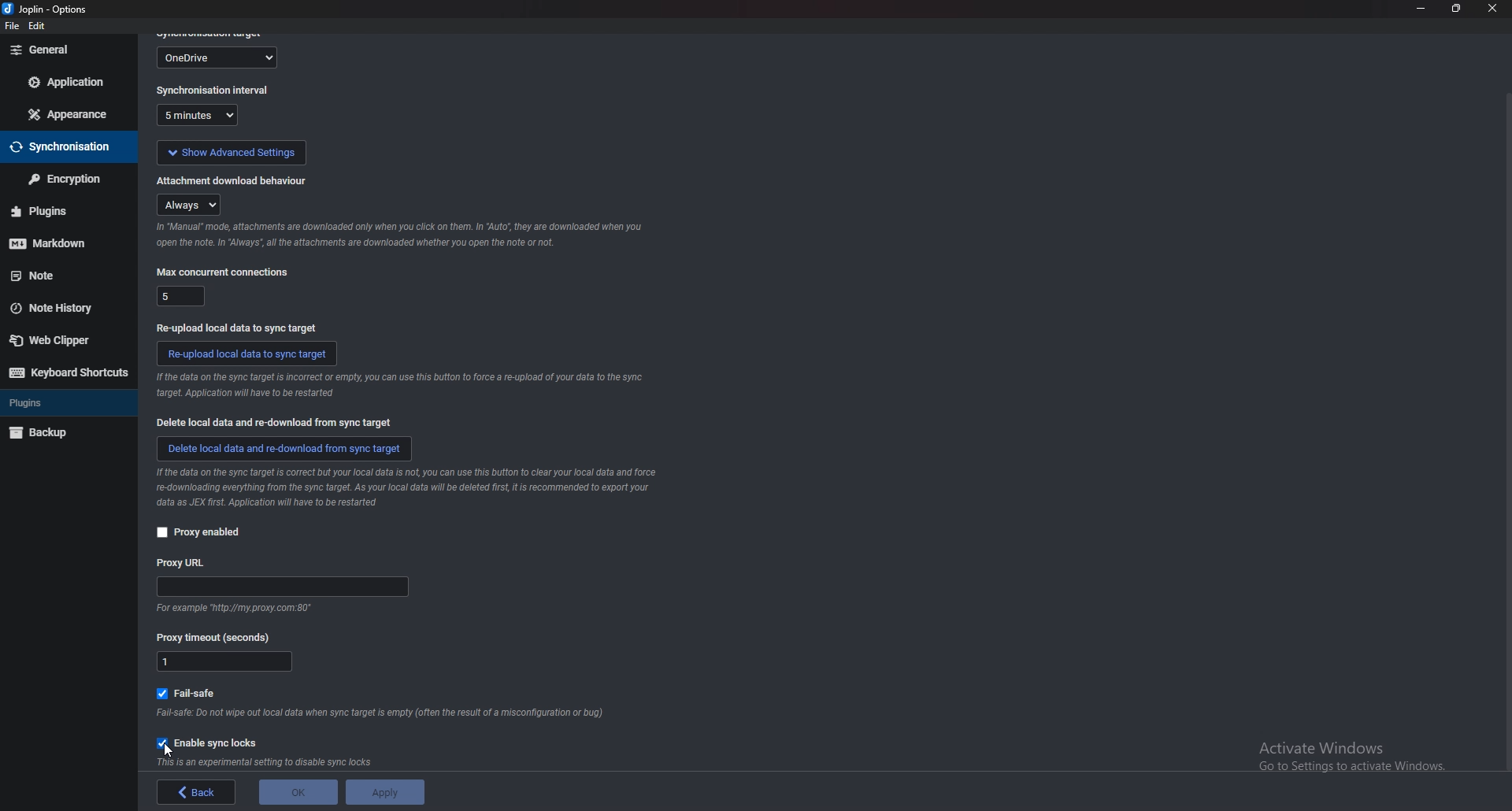  I want to click on info, so click(383, 713).